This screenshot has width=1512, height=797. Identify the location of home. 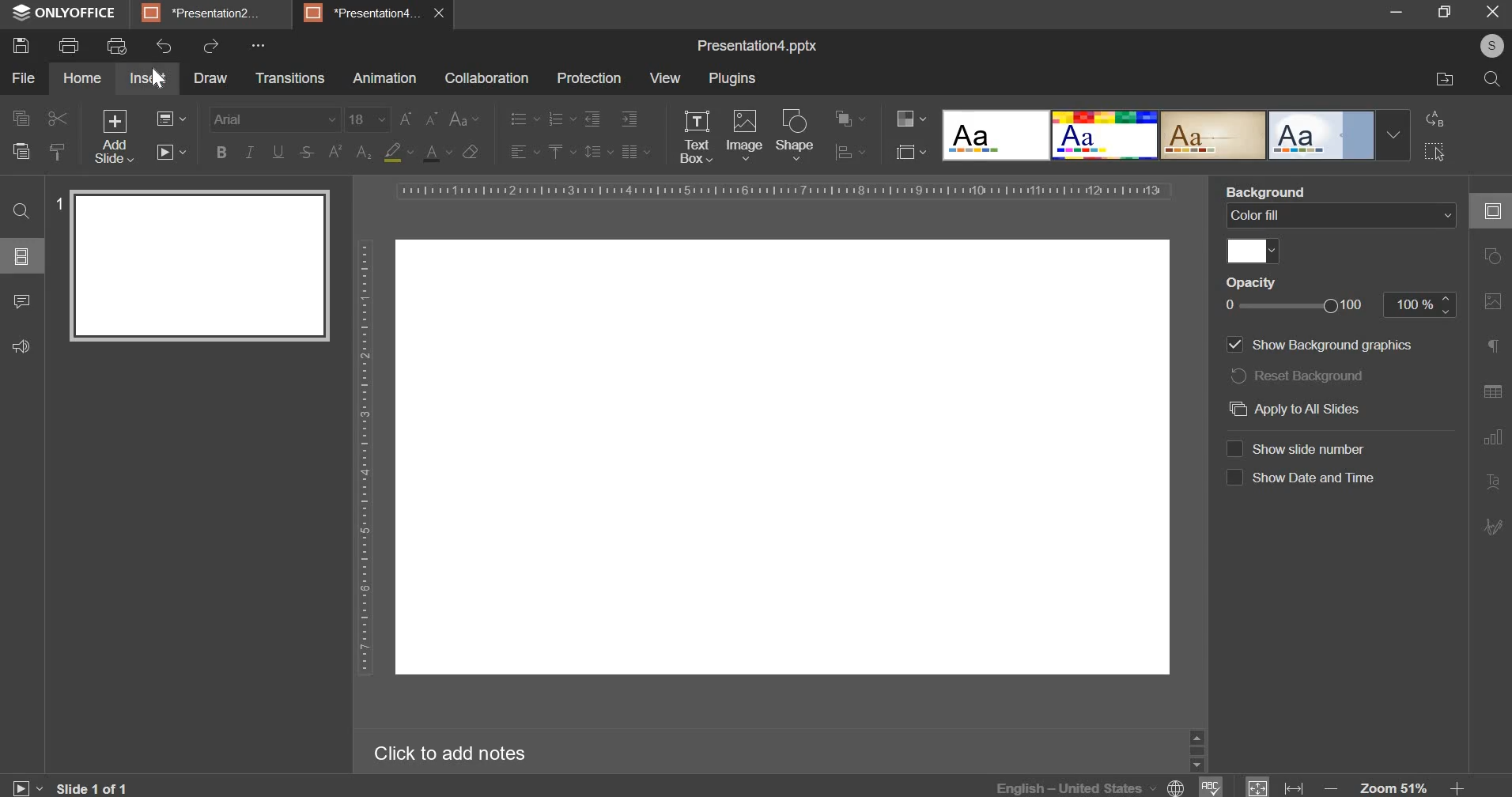
(82, 77).